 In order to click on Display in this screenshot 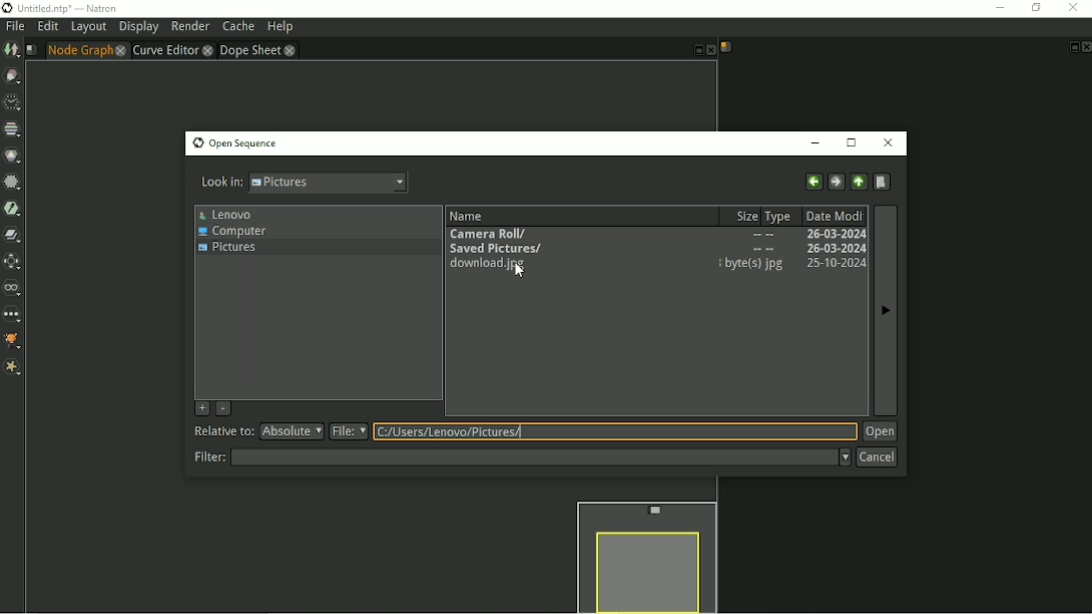, I will do `click(139, 28)`.